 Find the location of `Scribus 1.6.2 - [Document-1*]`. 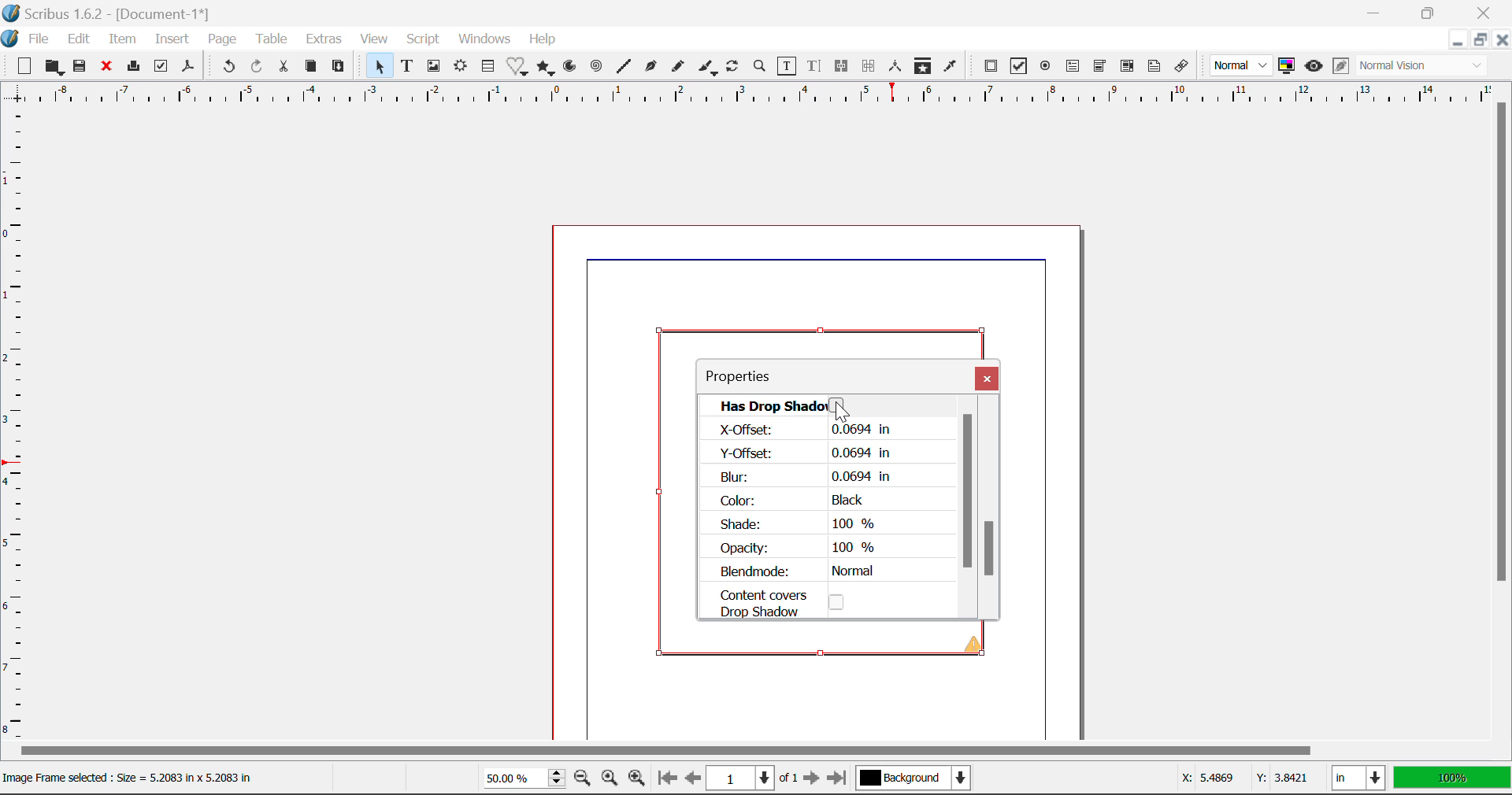

Scribus 1.6.2 - [Document-1*] is located at coordinates (107, 14).